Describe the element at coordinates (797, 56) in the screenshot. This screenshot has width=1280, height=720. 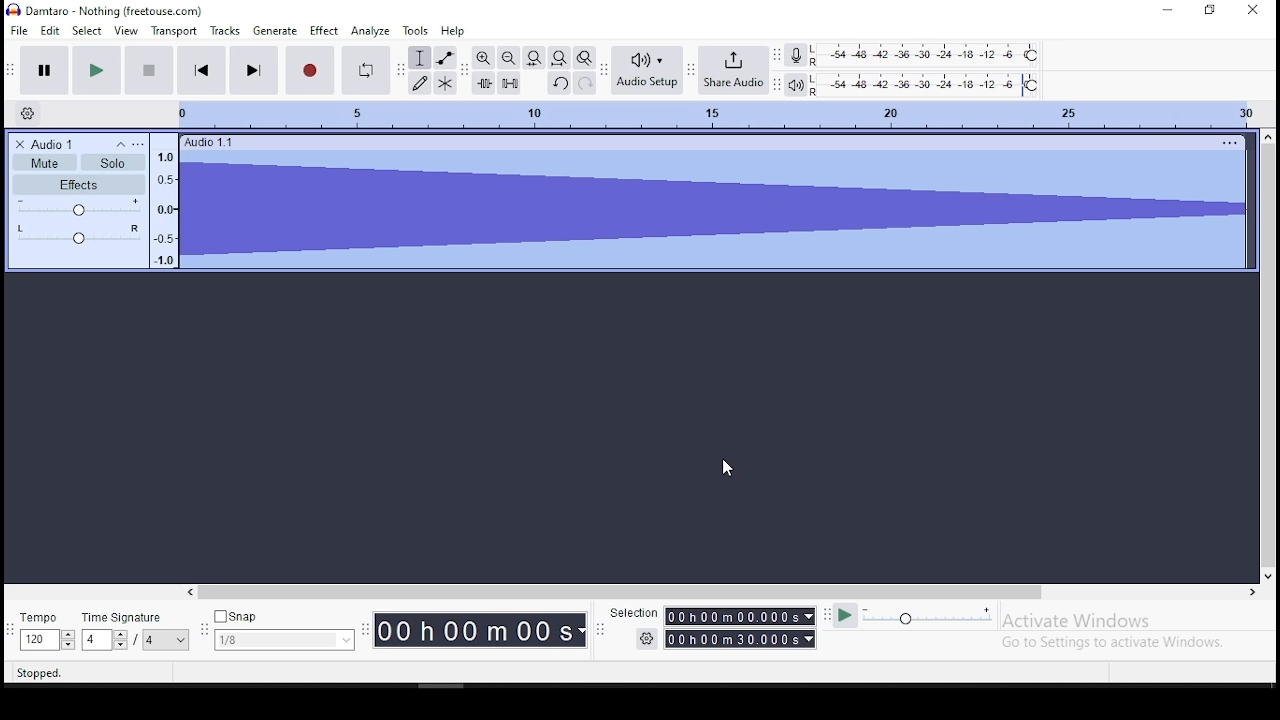
I see `record meter` at that location.